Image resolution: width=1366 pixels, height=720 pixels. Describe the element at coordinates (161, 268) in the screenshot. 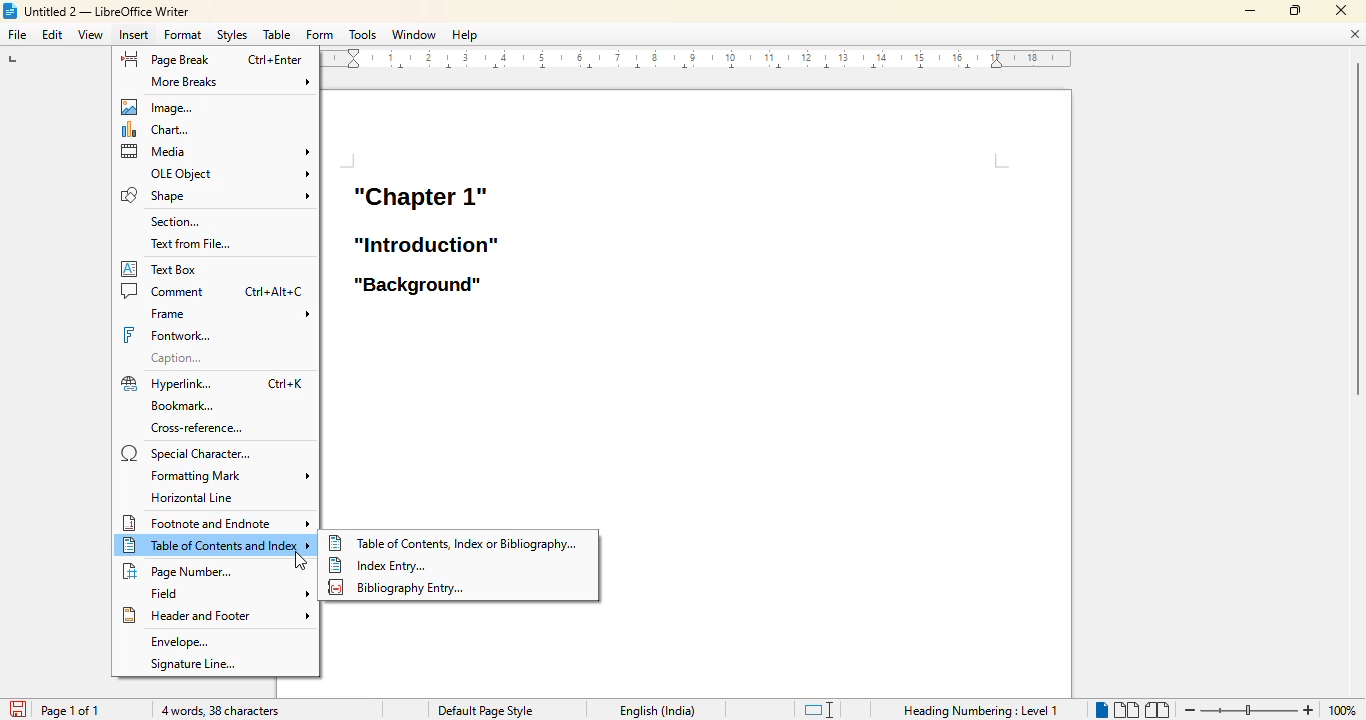

I see `text box` at that location.